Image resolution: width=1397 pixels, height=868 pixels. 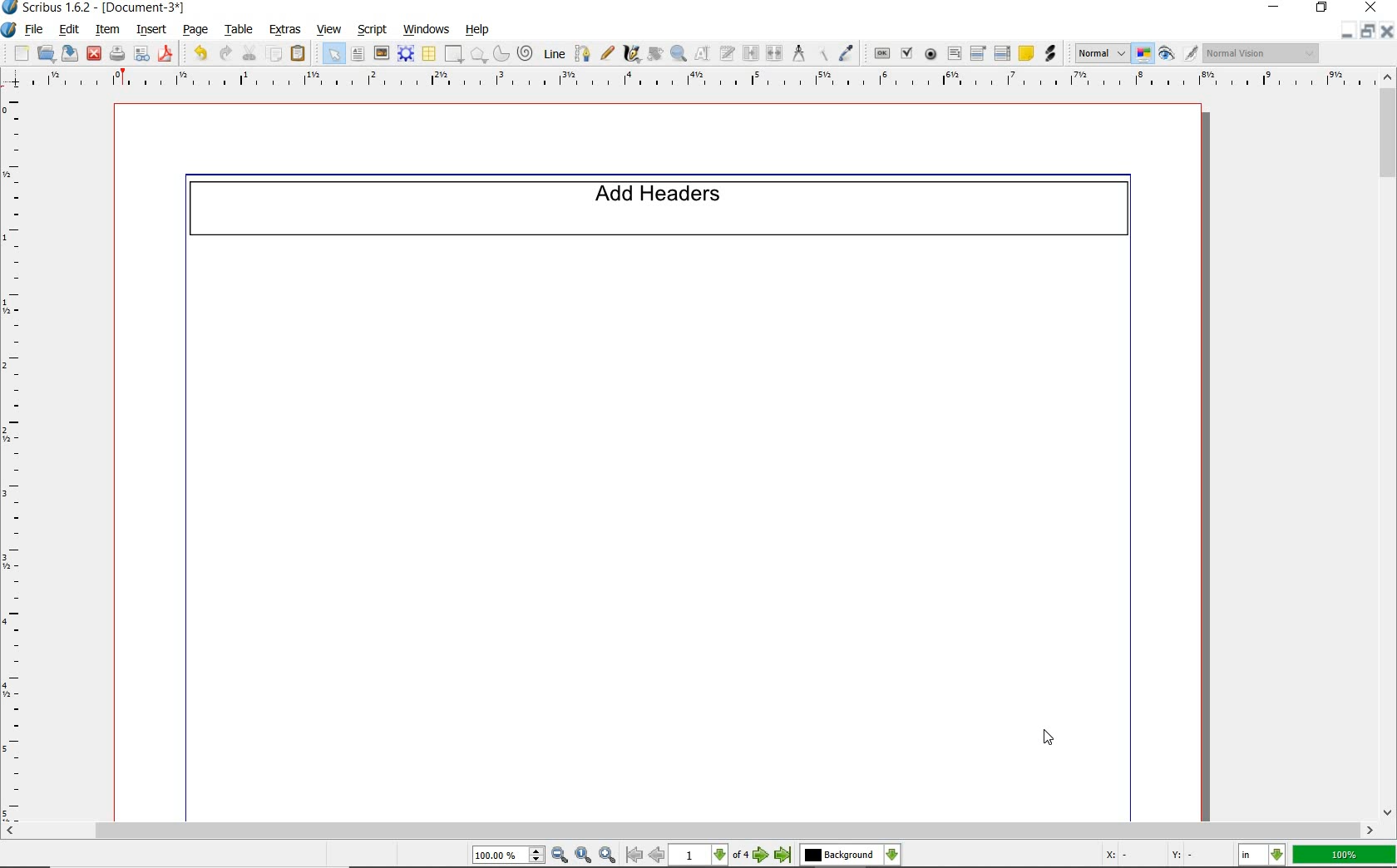 What do you see at coordinates (585, 856) in the screenshot?
I see `zoom to 100%` at bounding box center [585, 856].